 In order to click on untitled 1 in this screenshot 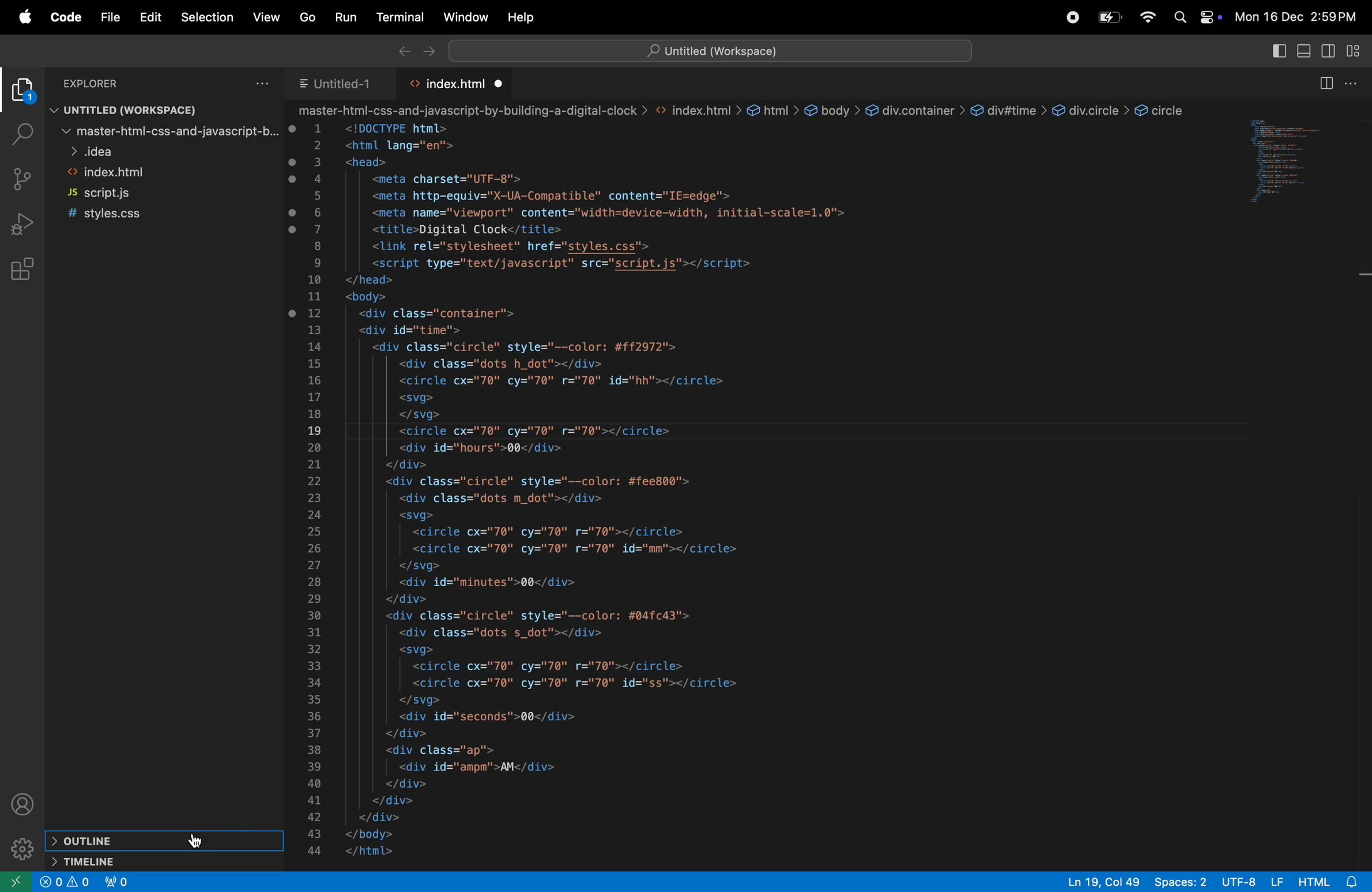, I will do `click(337, 82)`.